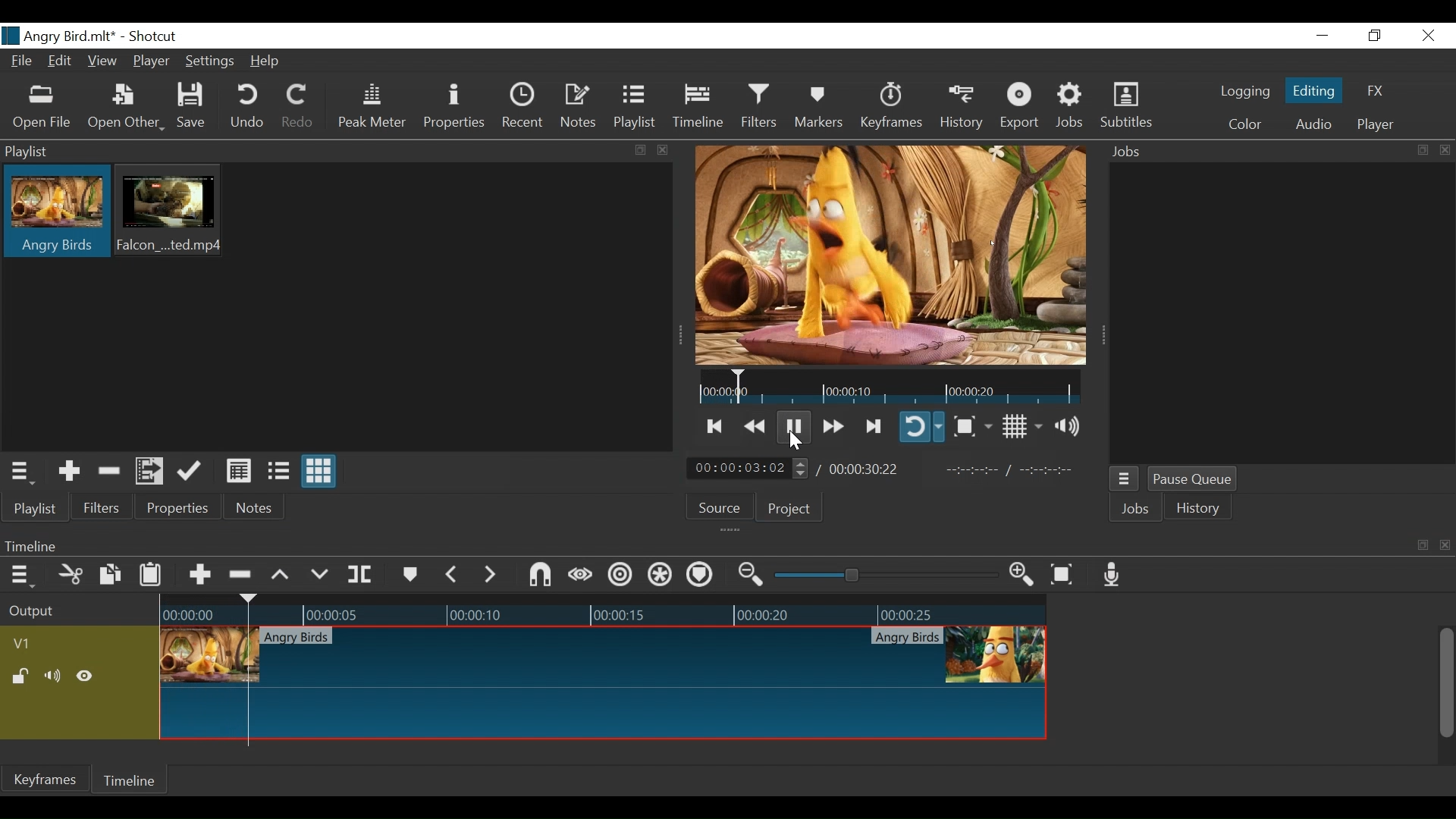 This screenshot has width=1456, height=819. Describe the element at coordinates (872, 425) in the screenshot. I see `Skip to the next point` at that location.